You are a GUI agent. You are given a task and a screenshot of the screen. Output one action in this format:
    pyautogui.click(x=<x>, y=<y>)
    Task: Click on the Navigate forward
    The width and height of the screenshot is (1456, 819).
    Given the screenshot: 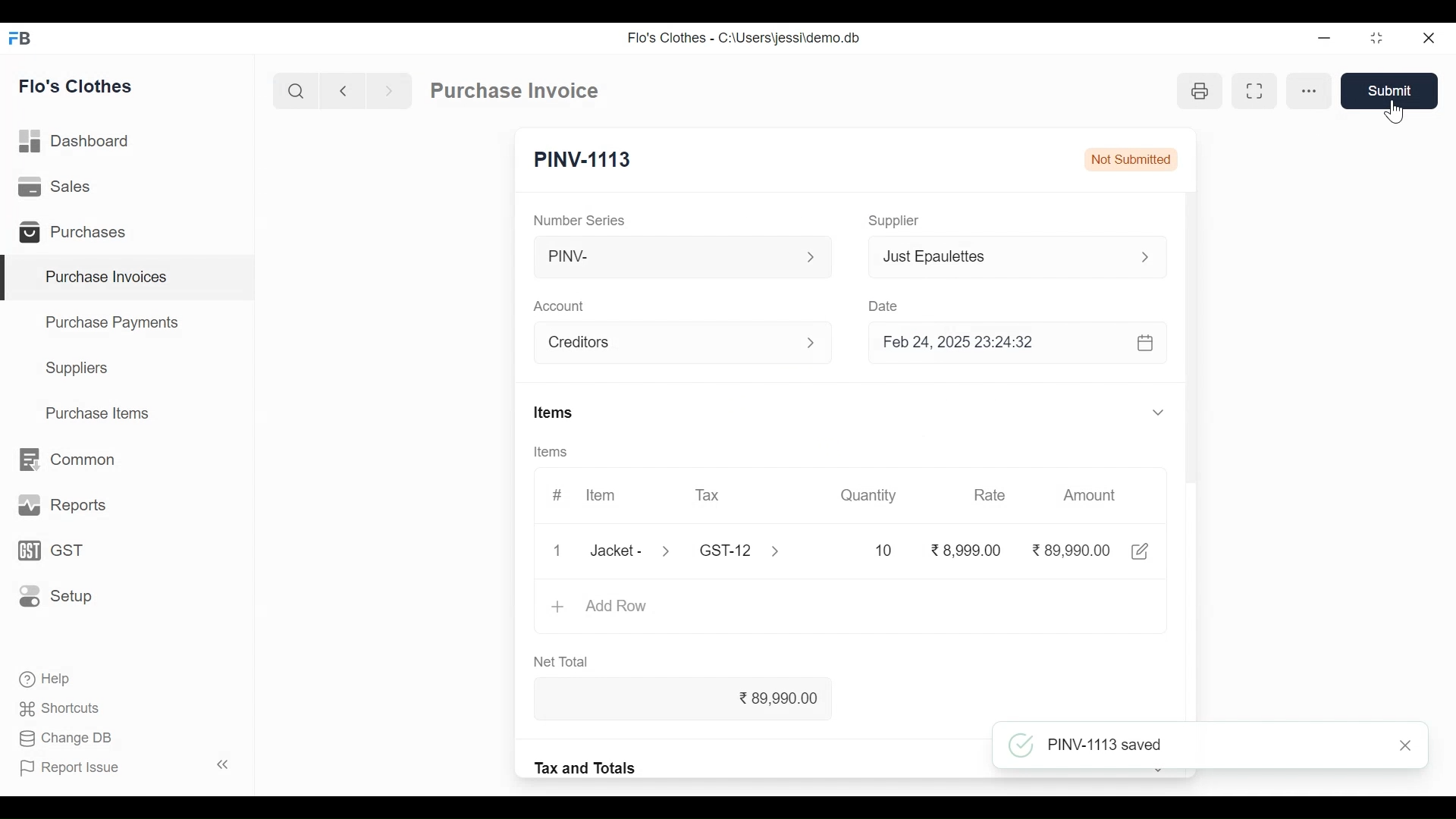 What is the action you would take?
    pyautogui.click(x=388, y=91)
    